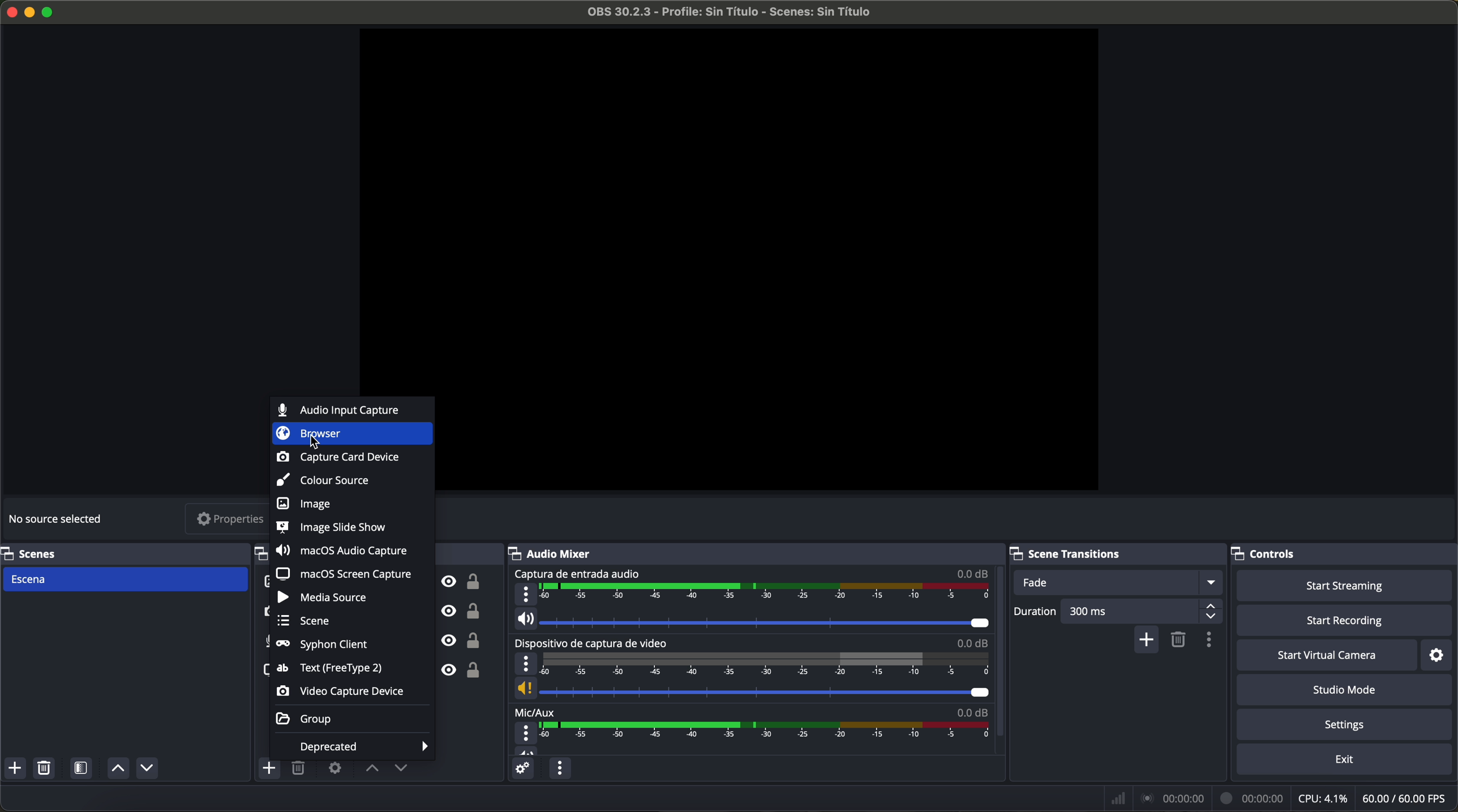 The image size is (1458, 812). I want to click on image slide show, so click(332, 529).